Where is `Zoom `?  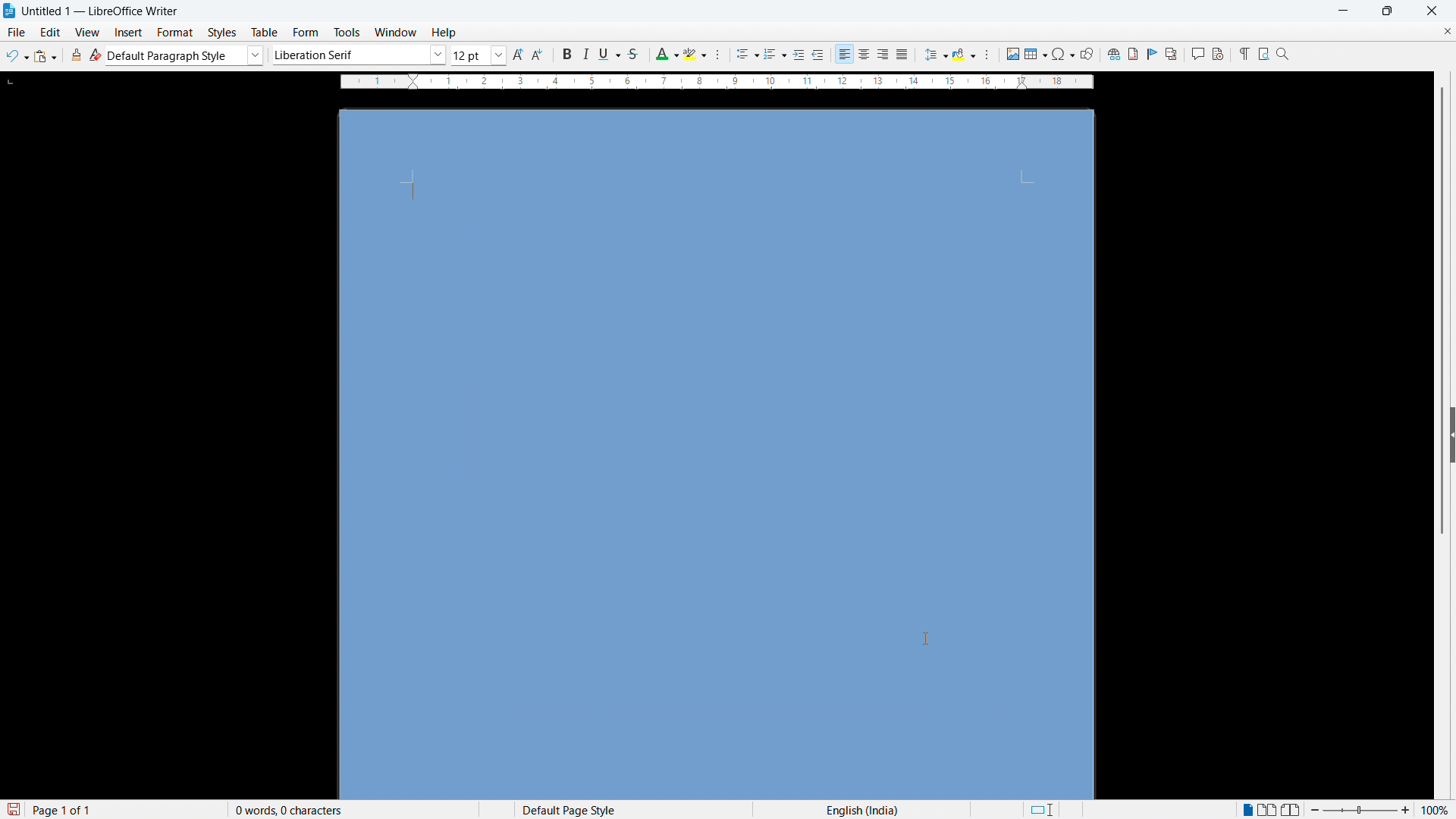 Zoom  is located at coordinates (1283, 53).